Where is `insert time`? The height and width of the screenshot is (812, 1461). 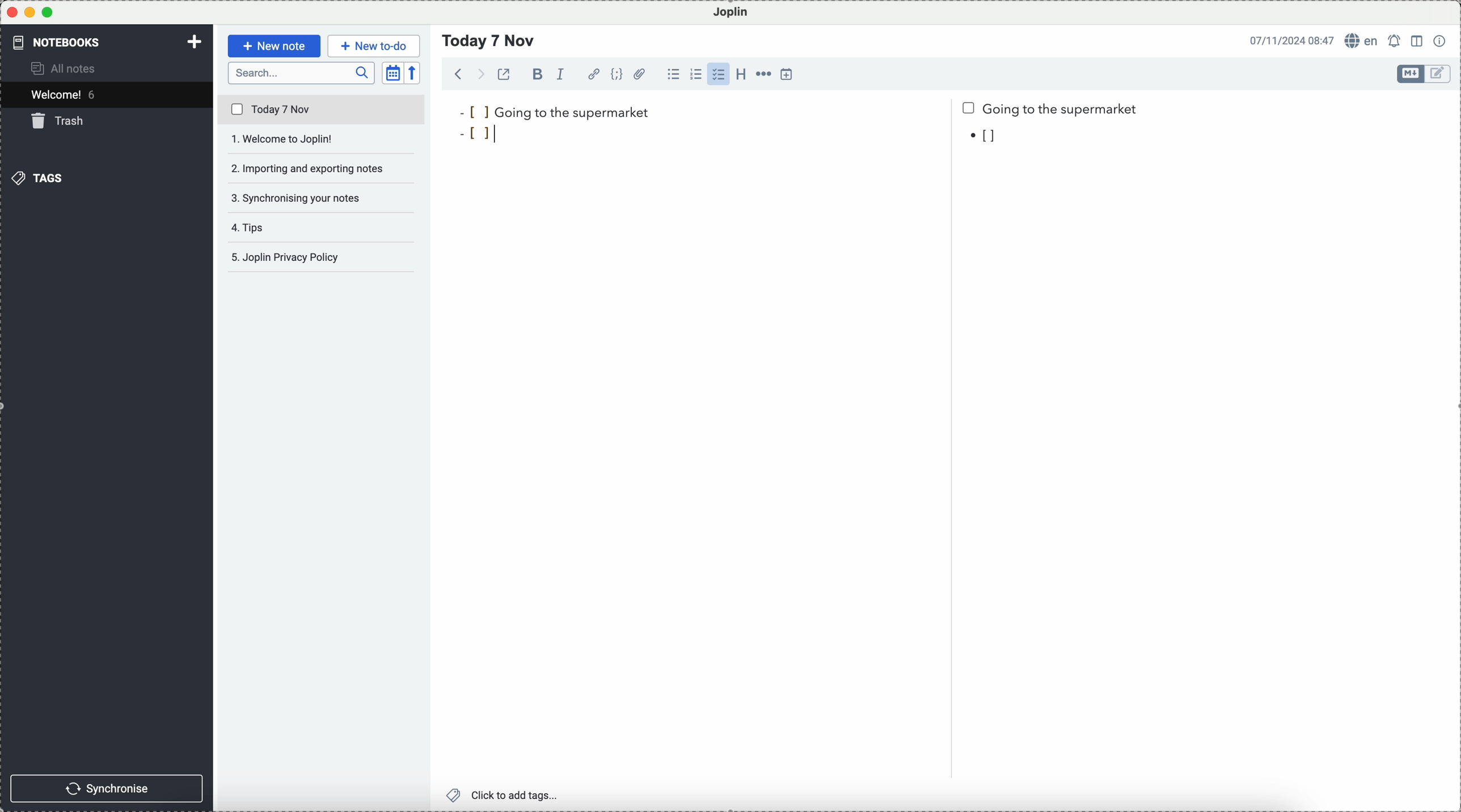
insert time is located at coordinates (787, 74).